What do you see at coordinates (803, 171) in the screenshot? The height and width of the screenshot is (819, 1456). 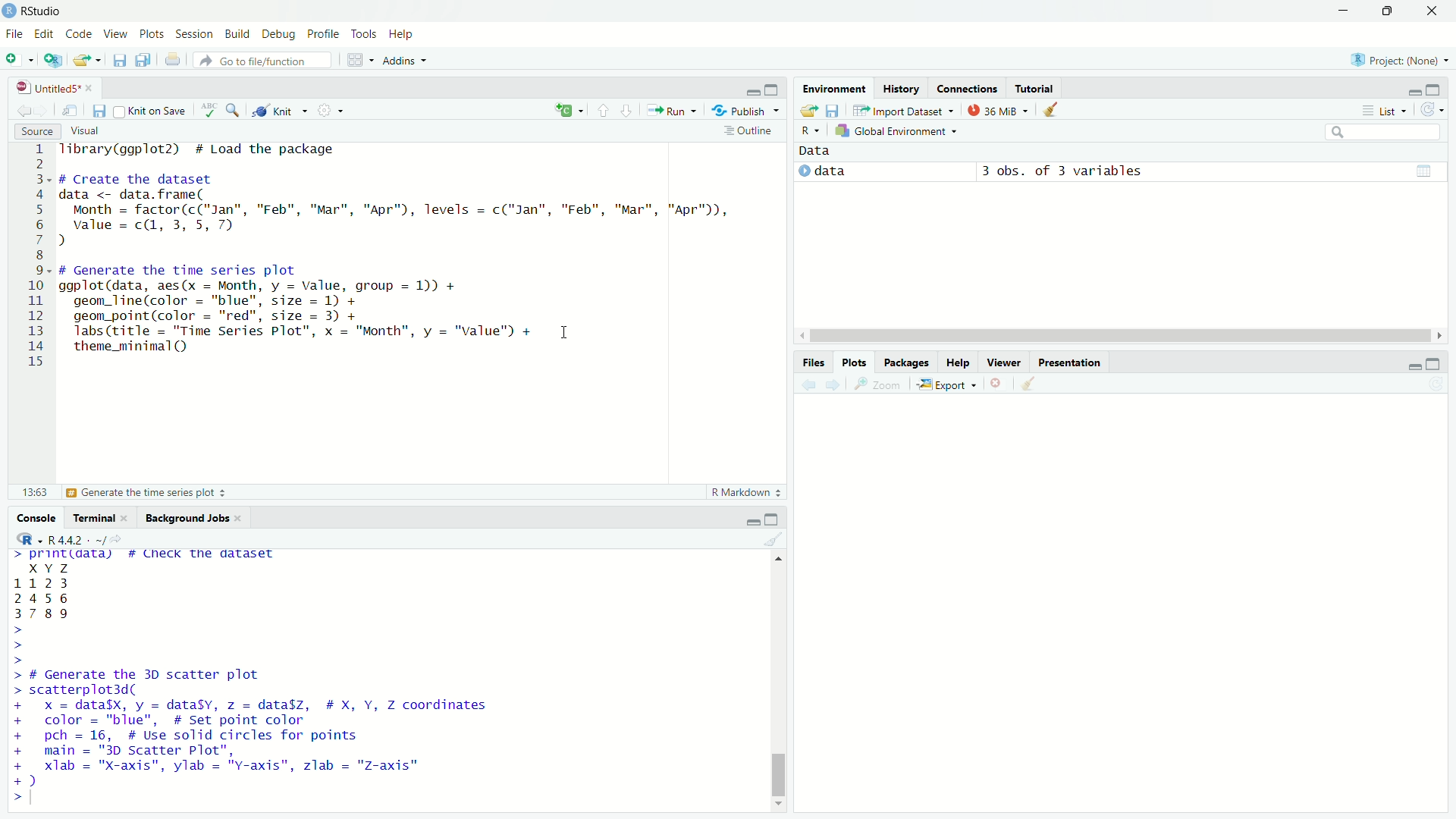 I see `play` at bounding box center [803, 171].